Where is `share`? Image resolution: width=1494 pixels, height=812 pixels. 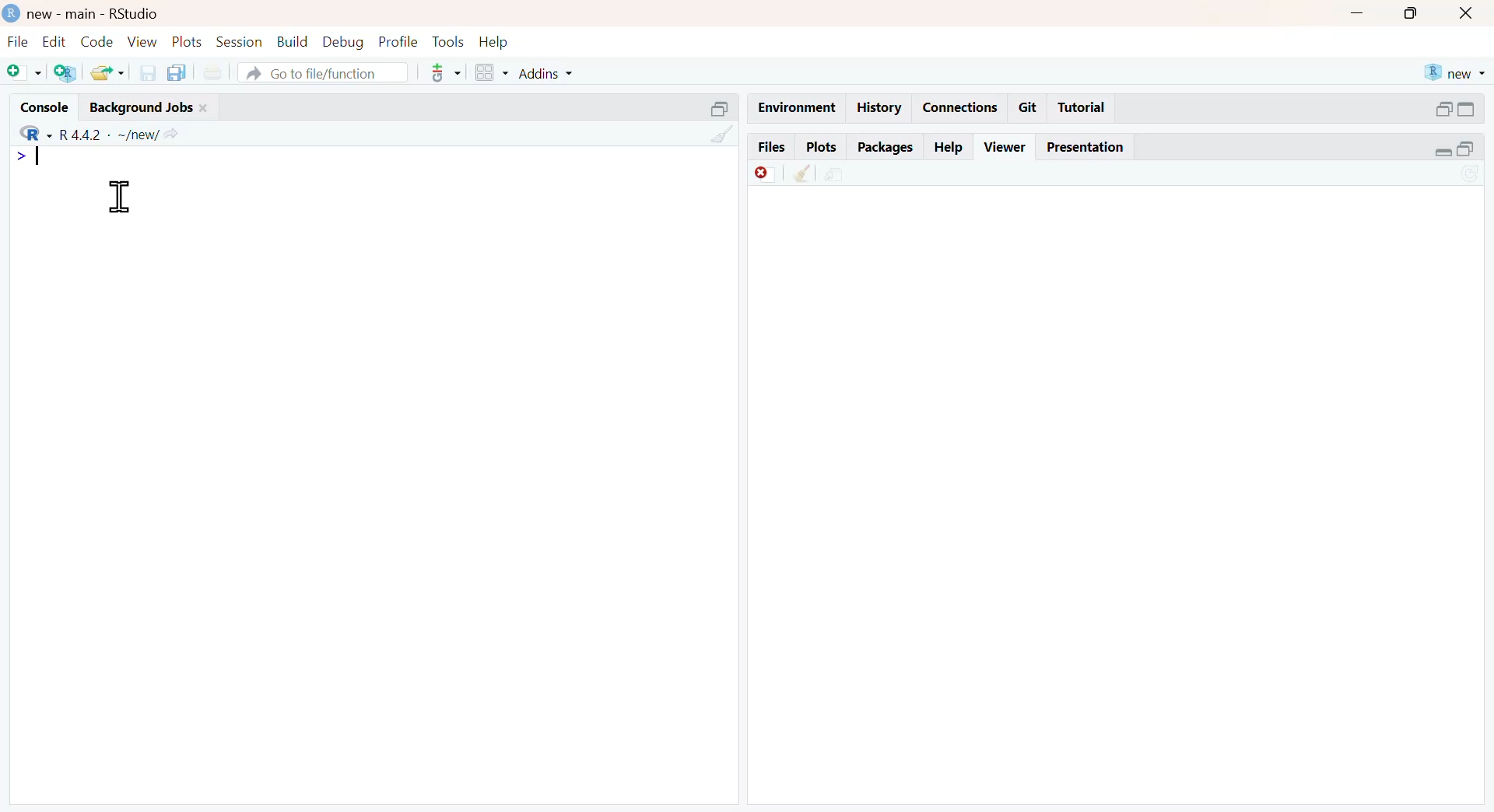 share is located at coordinates (833, 174).